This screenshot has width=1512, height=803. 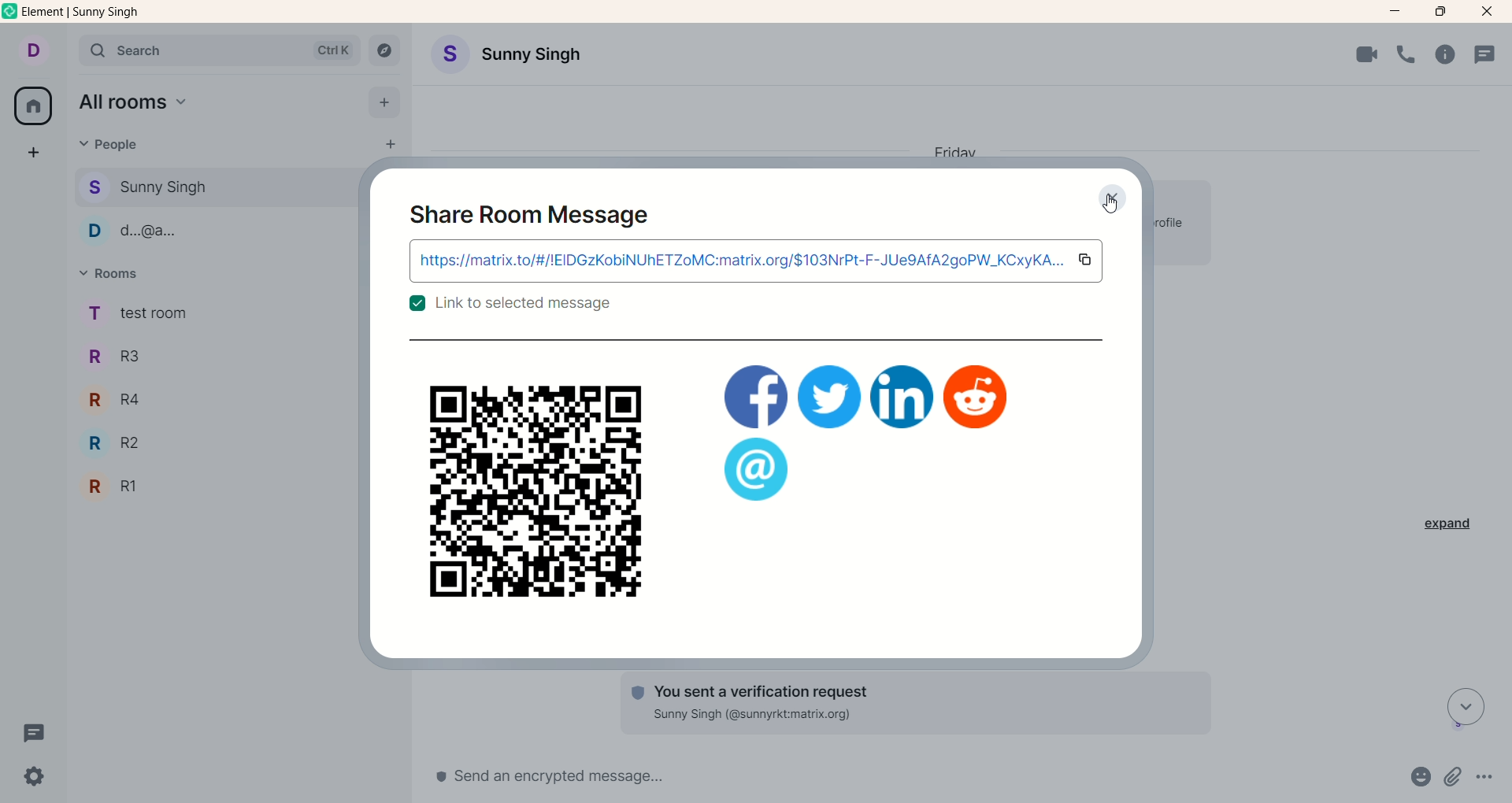 I want to click on all rooms, so click(x=31, y=109).